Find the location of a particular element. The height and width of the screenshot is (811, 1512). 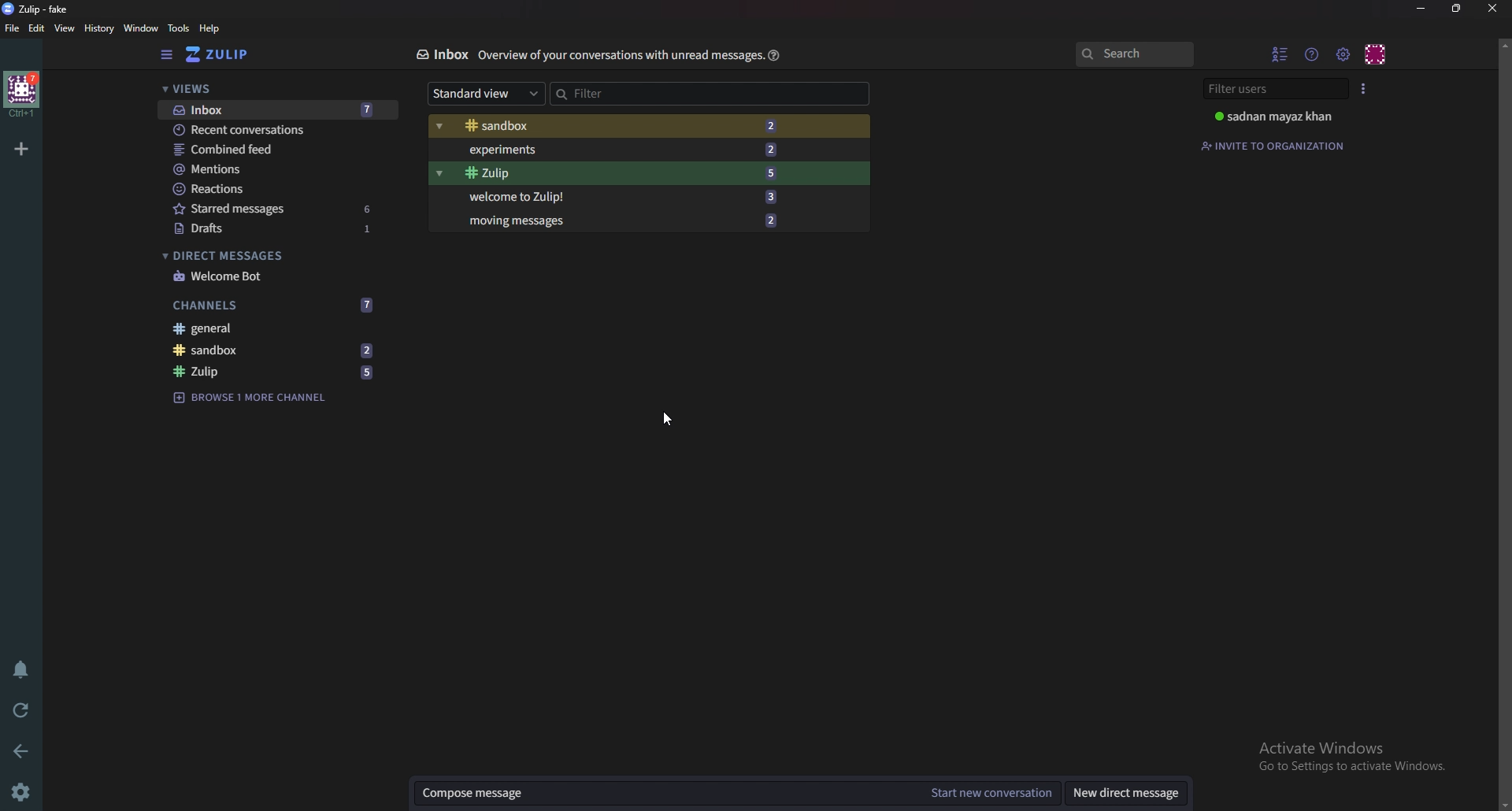

Close is located at coordinates (1489, 9).